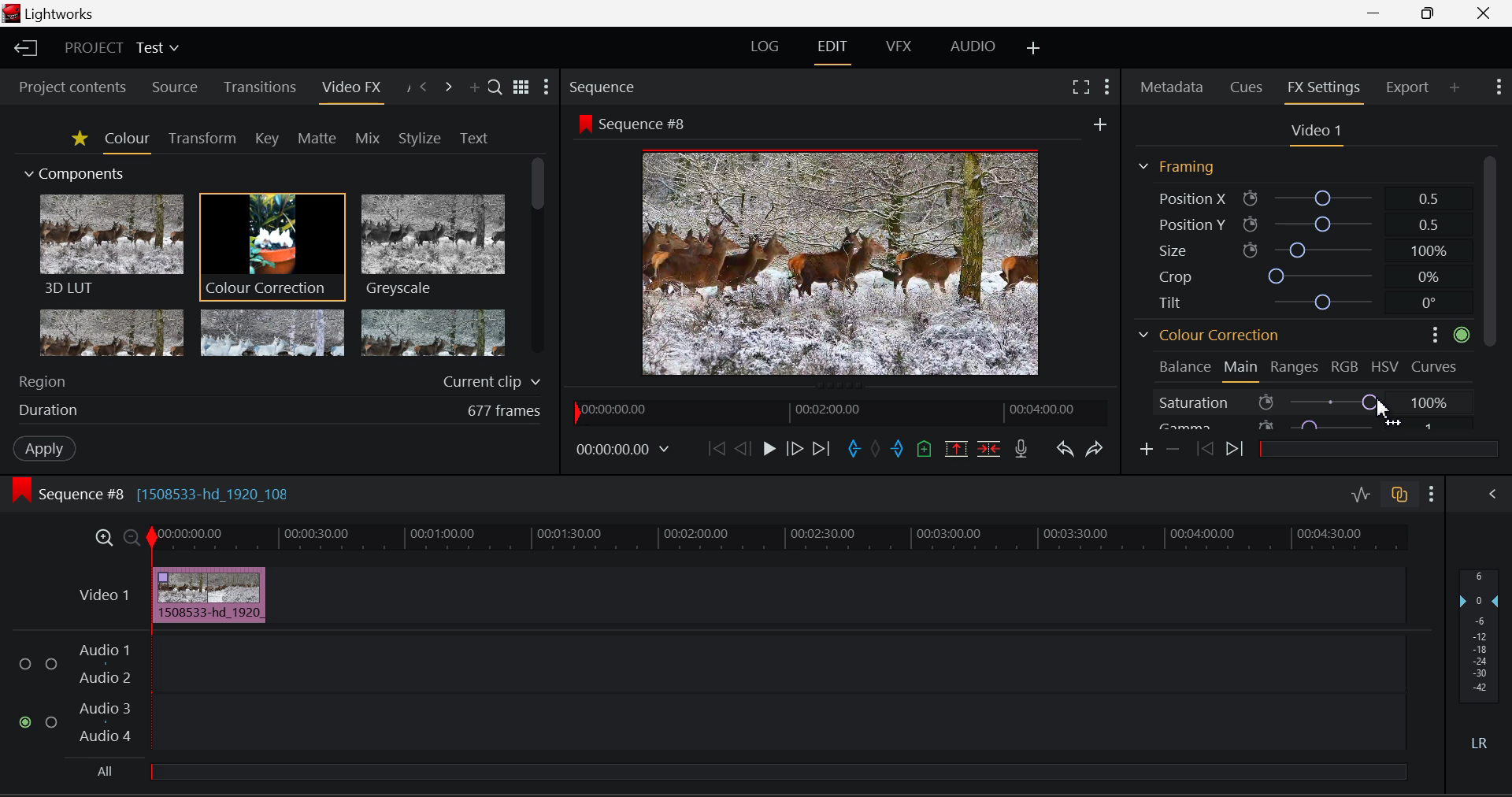  I want to click on Key, so click(268, 139).